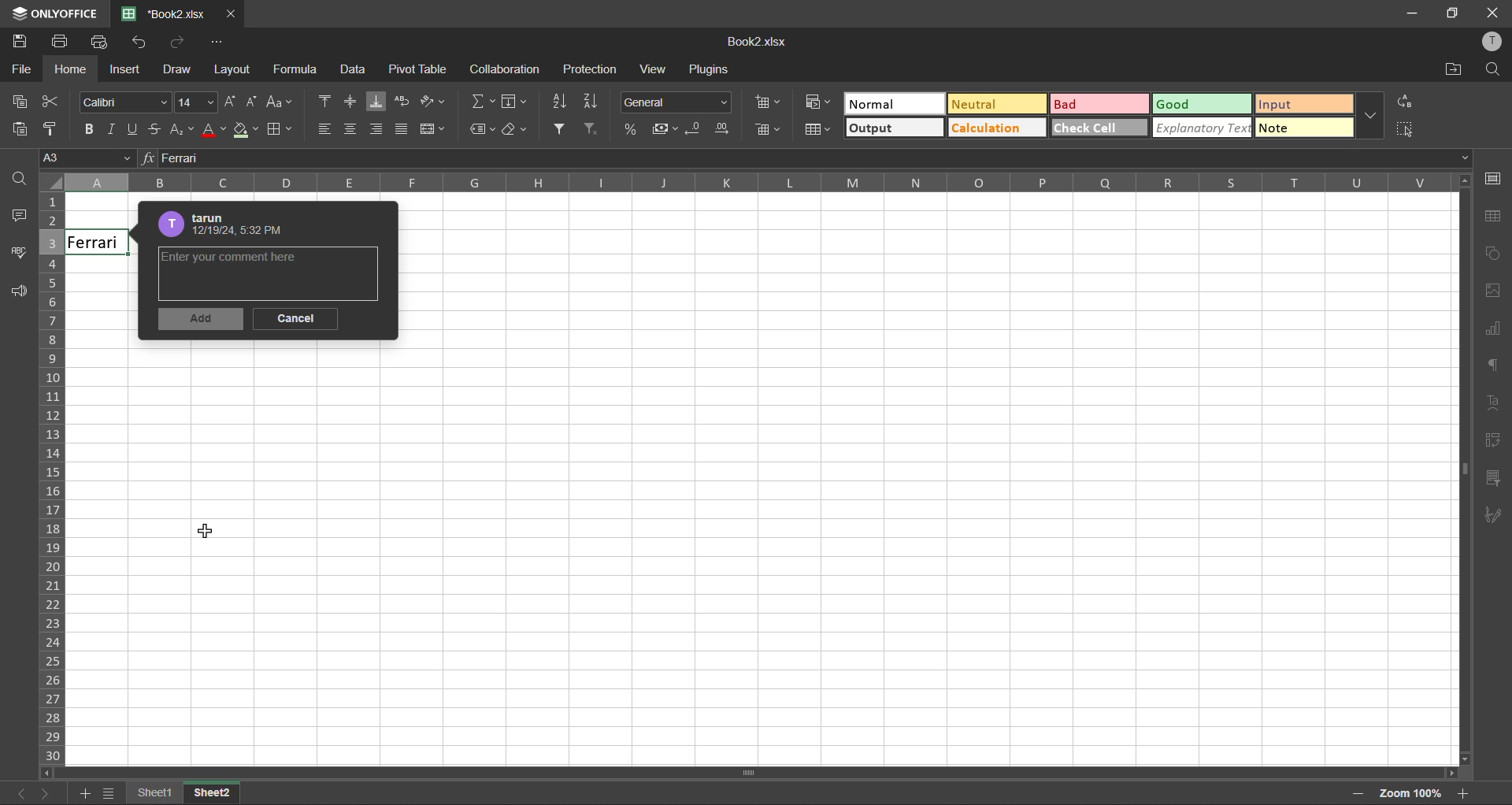  Describe the element at coordinates (325, 130) in the screenshot. I see `align left` at that location.